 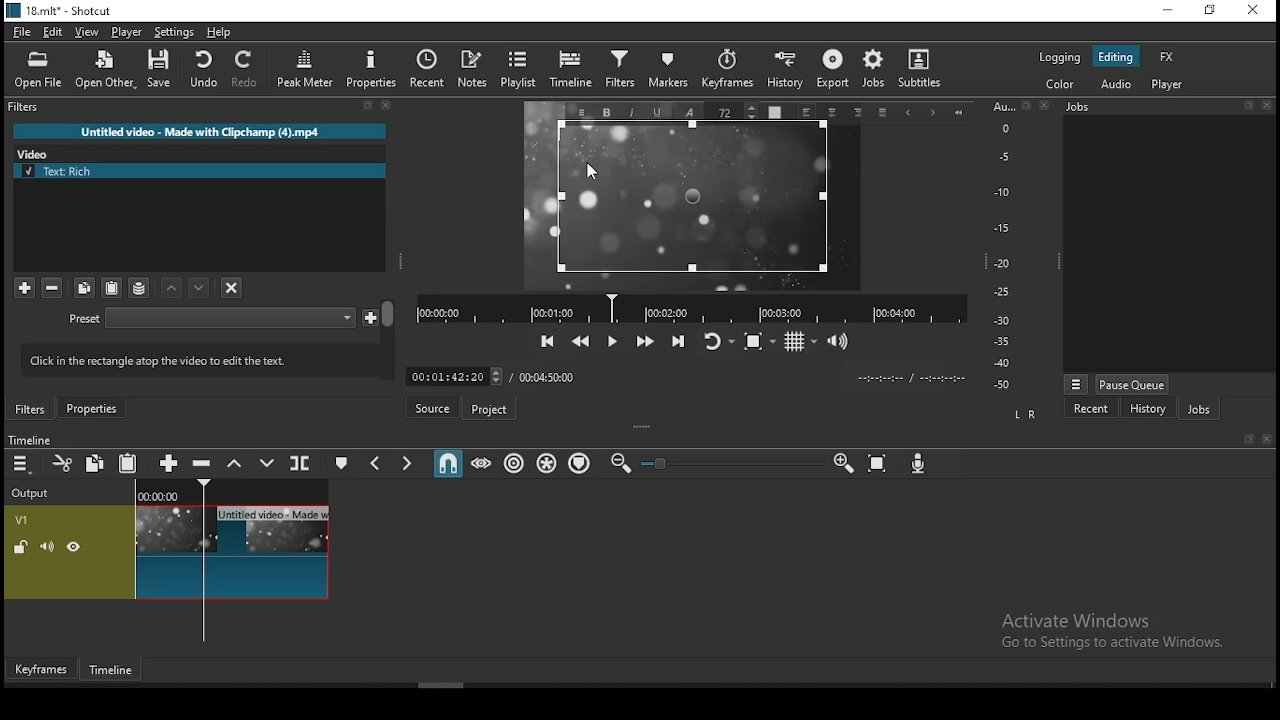 What do you see at coordinates (371, 316) in the screenshot?
I see `Save custom preset` at bounding box center [371, 316].